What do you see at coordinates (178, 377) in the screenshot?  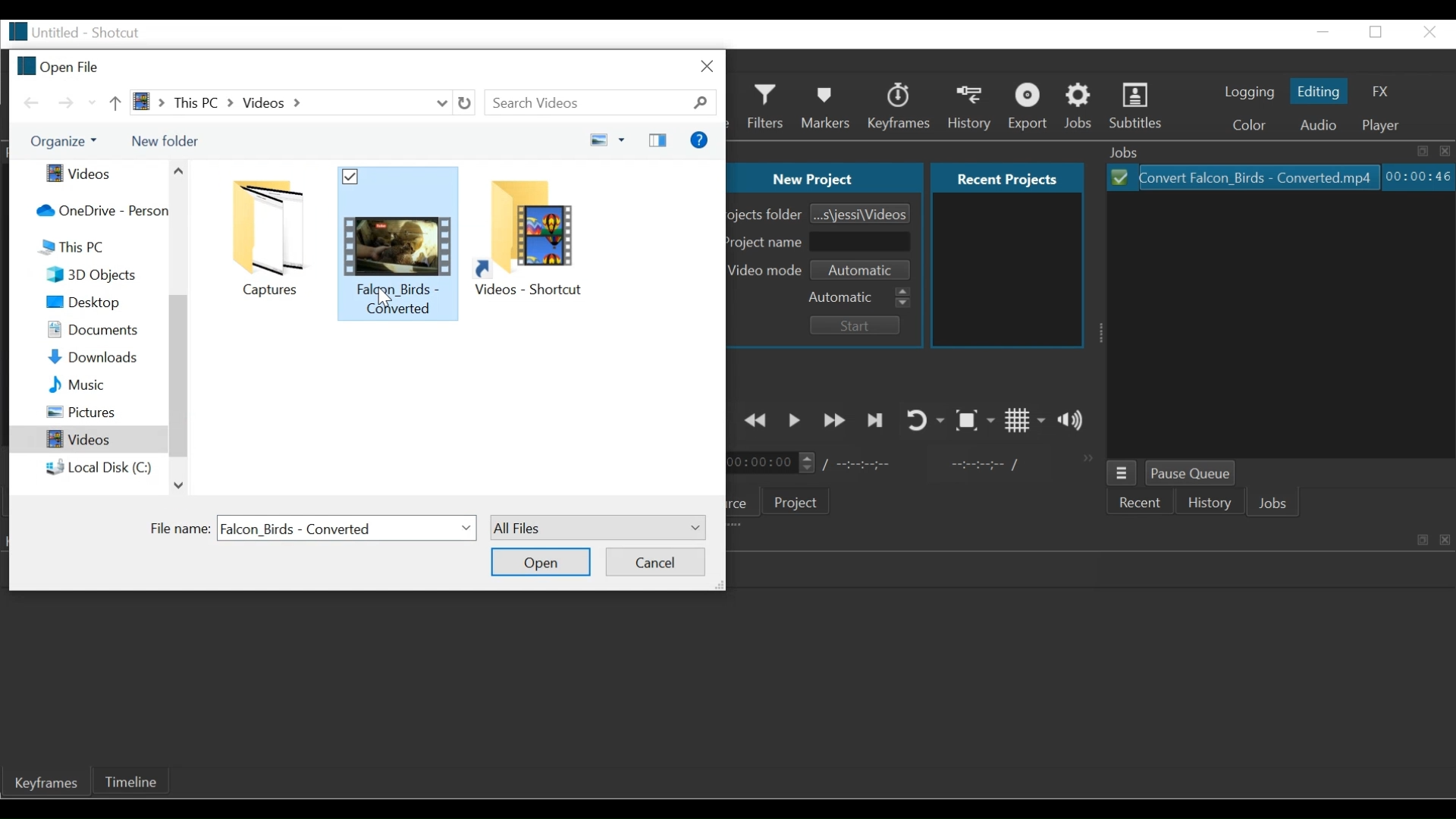 I see `Vertical Scroll bar` at bounding box center [178, 377].